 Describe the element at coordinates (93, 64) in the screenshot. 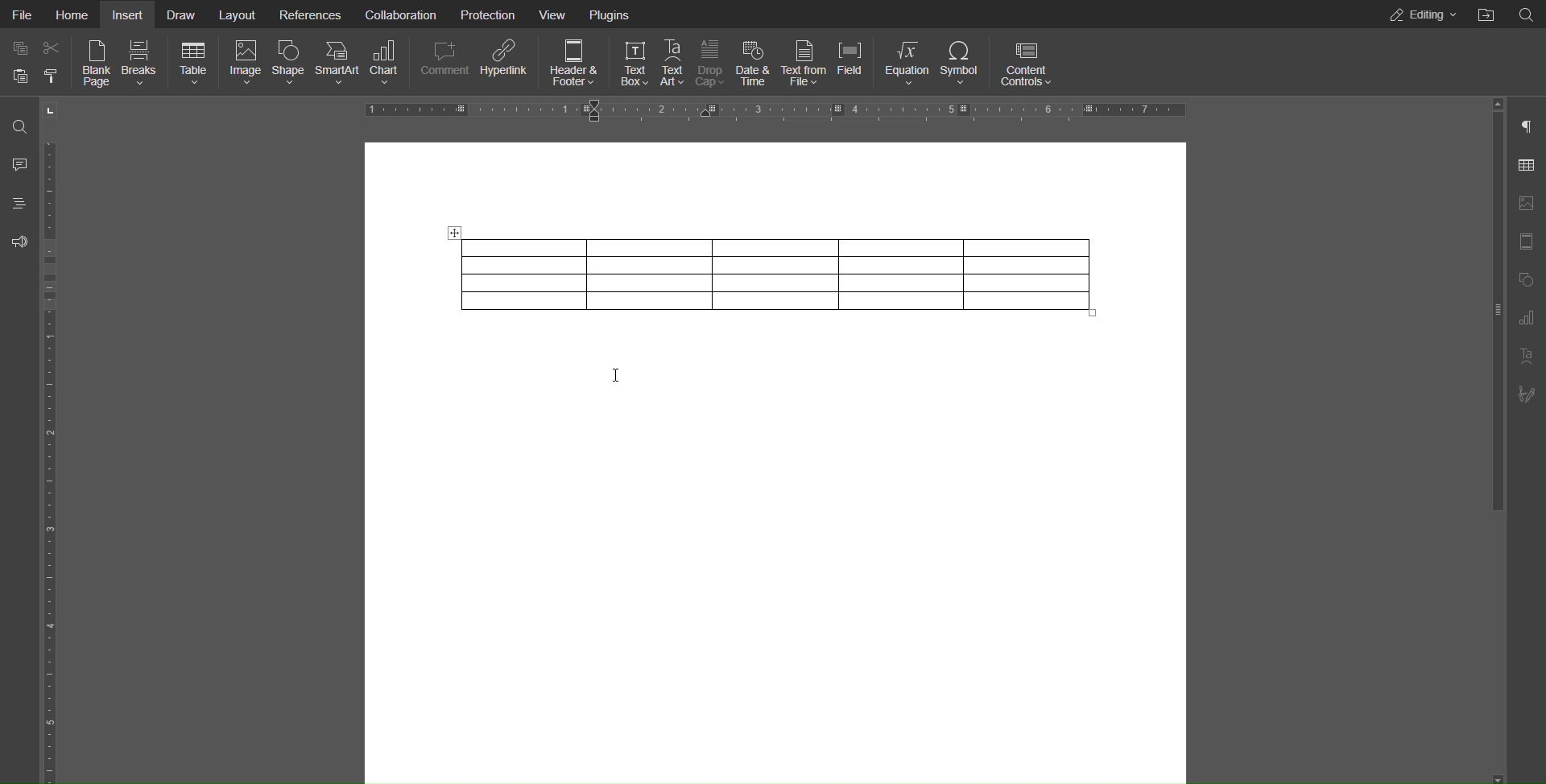

I see `Blank Page` at that location.